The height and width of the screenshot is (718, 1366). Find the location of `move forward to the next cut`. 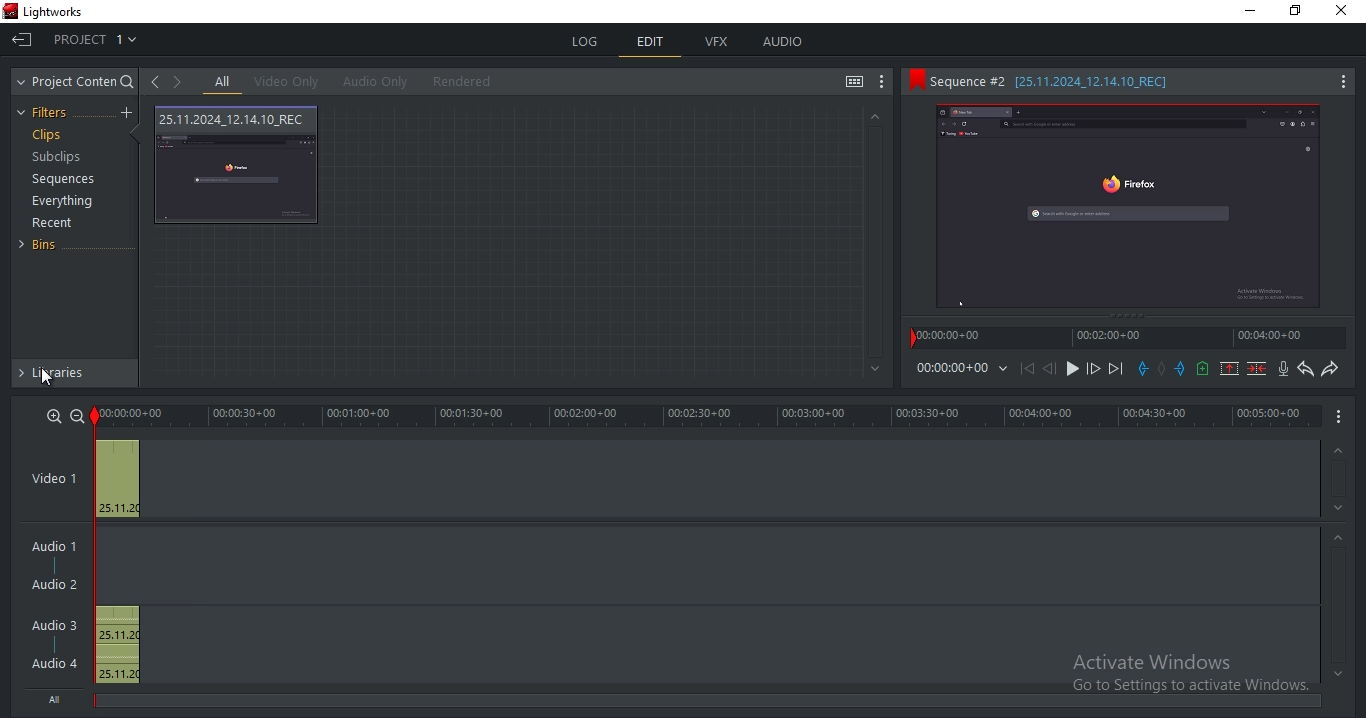

move forward to the next cut is located at coordinates (1114, 369).